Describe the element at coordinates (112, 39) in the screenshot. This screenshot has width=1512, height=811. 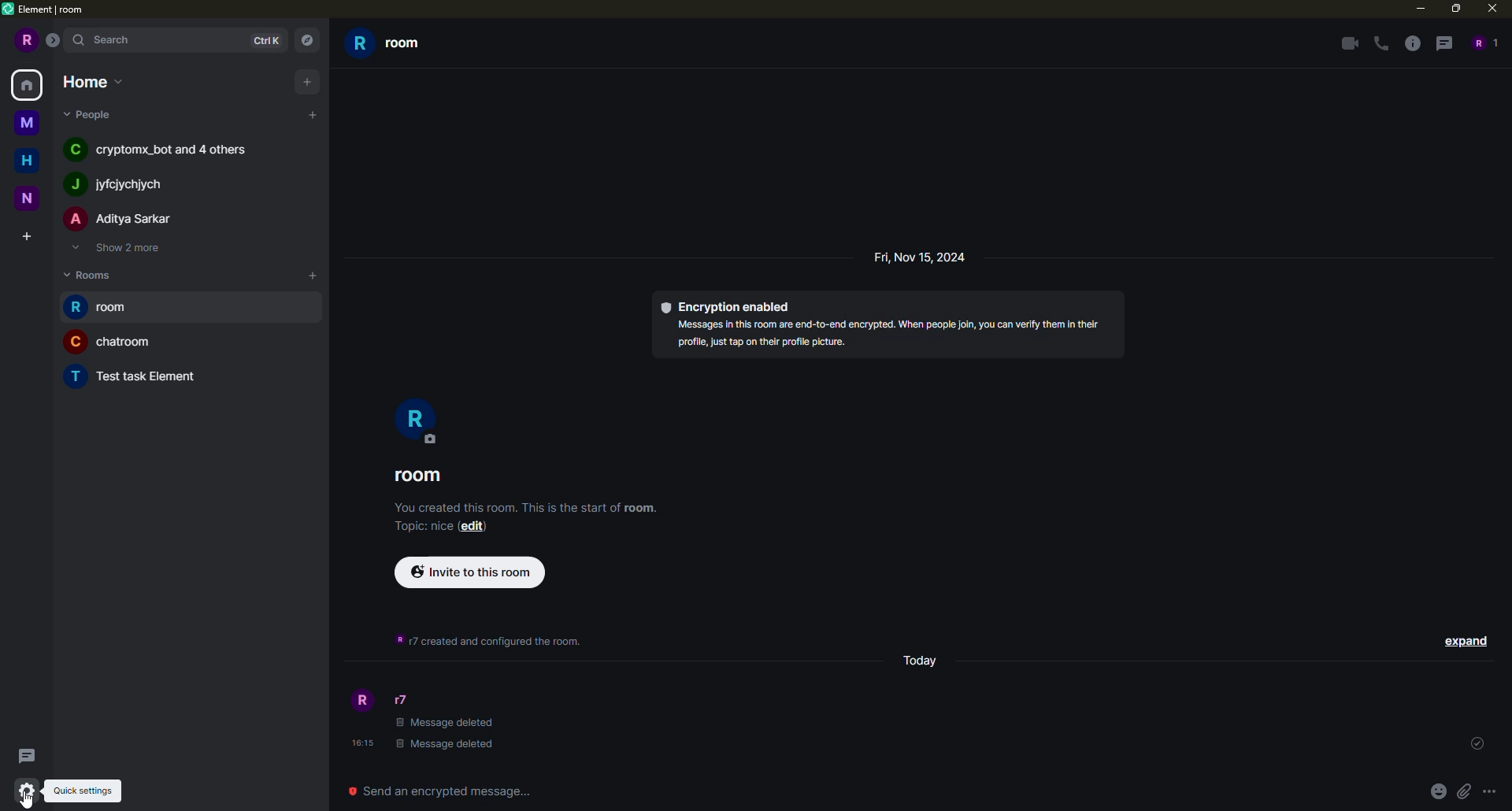
I see `search` at that location.